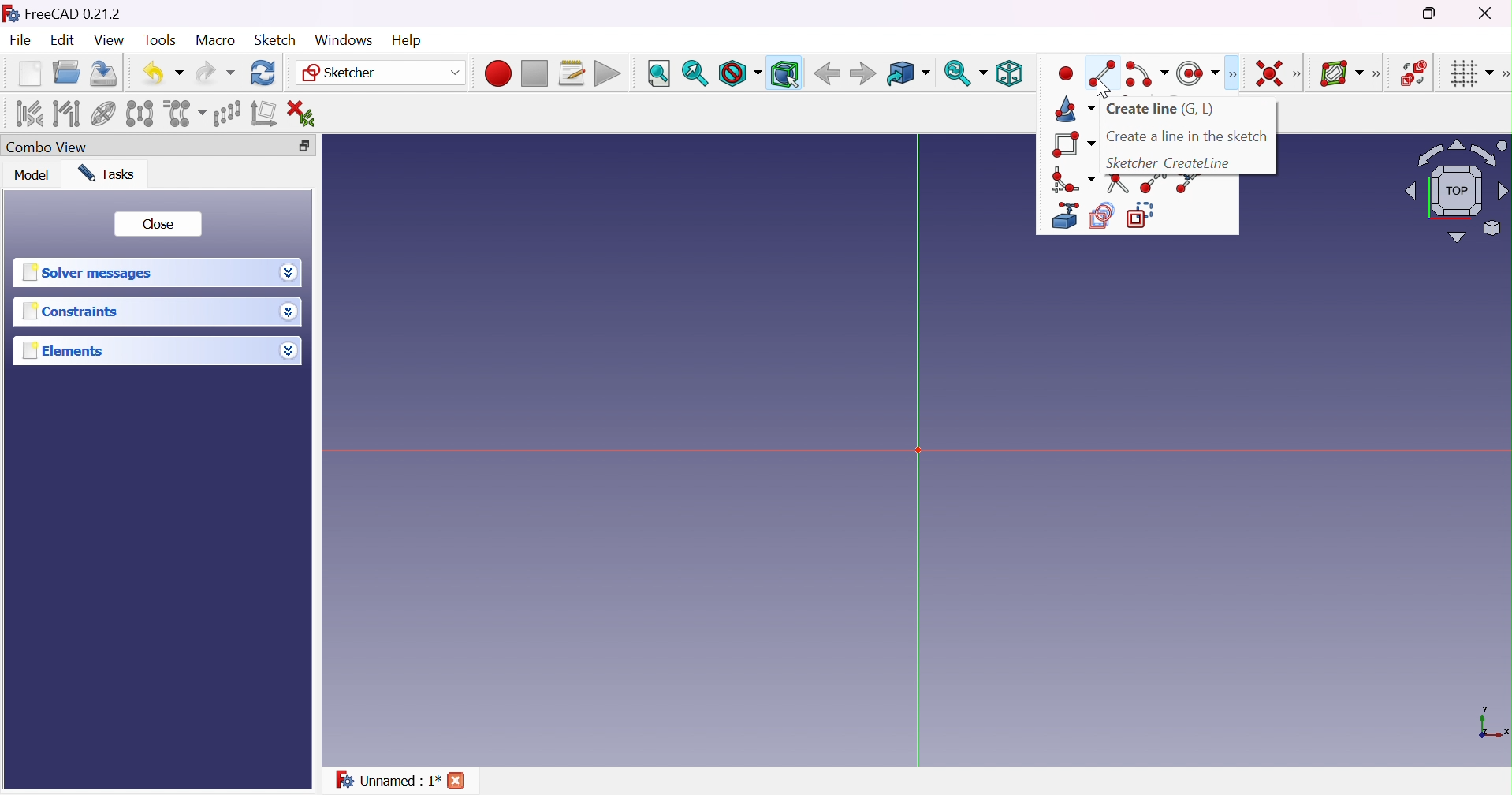 The width and height of the screenshot is (1512, 795). Describe the element at coordinates (572, 73) in the screenshot. I see `Macros...` at that location.